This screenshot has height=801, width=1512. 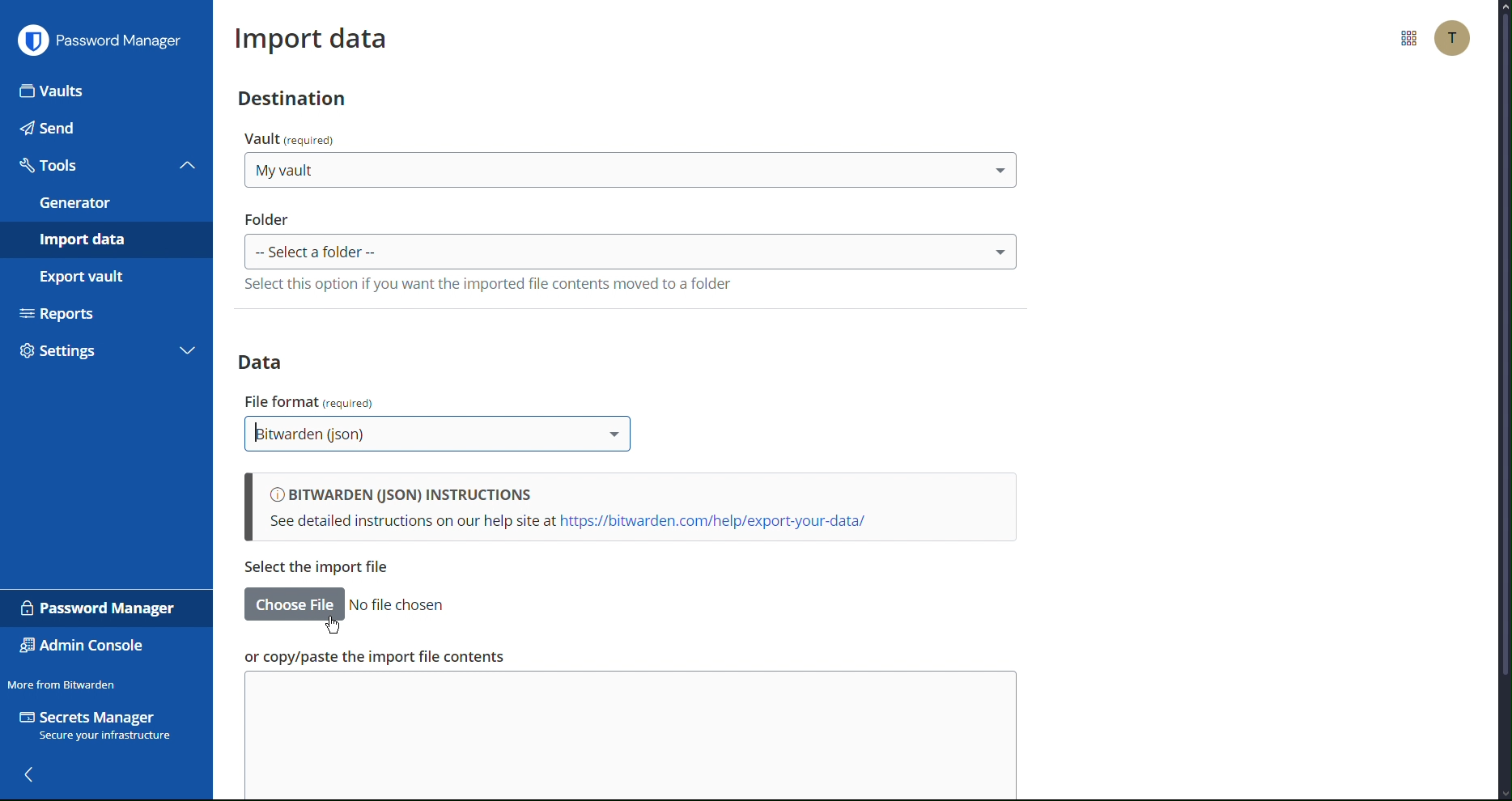 I want to click on Account, so click(x=1454, y=38).